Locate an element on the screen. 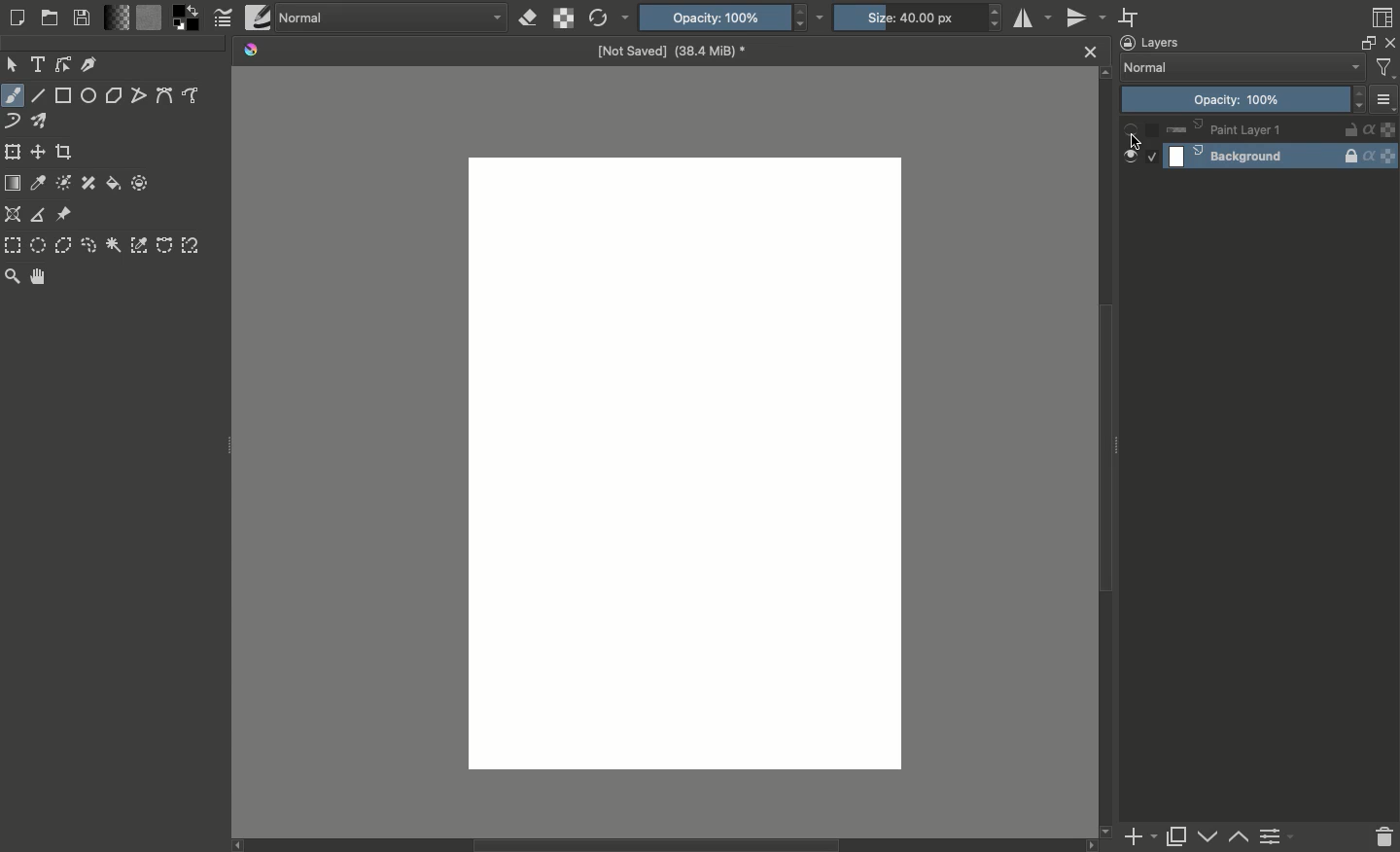  Choose brush preset is located at coordinates (258, 18).